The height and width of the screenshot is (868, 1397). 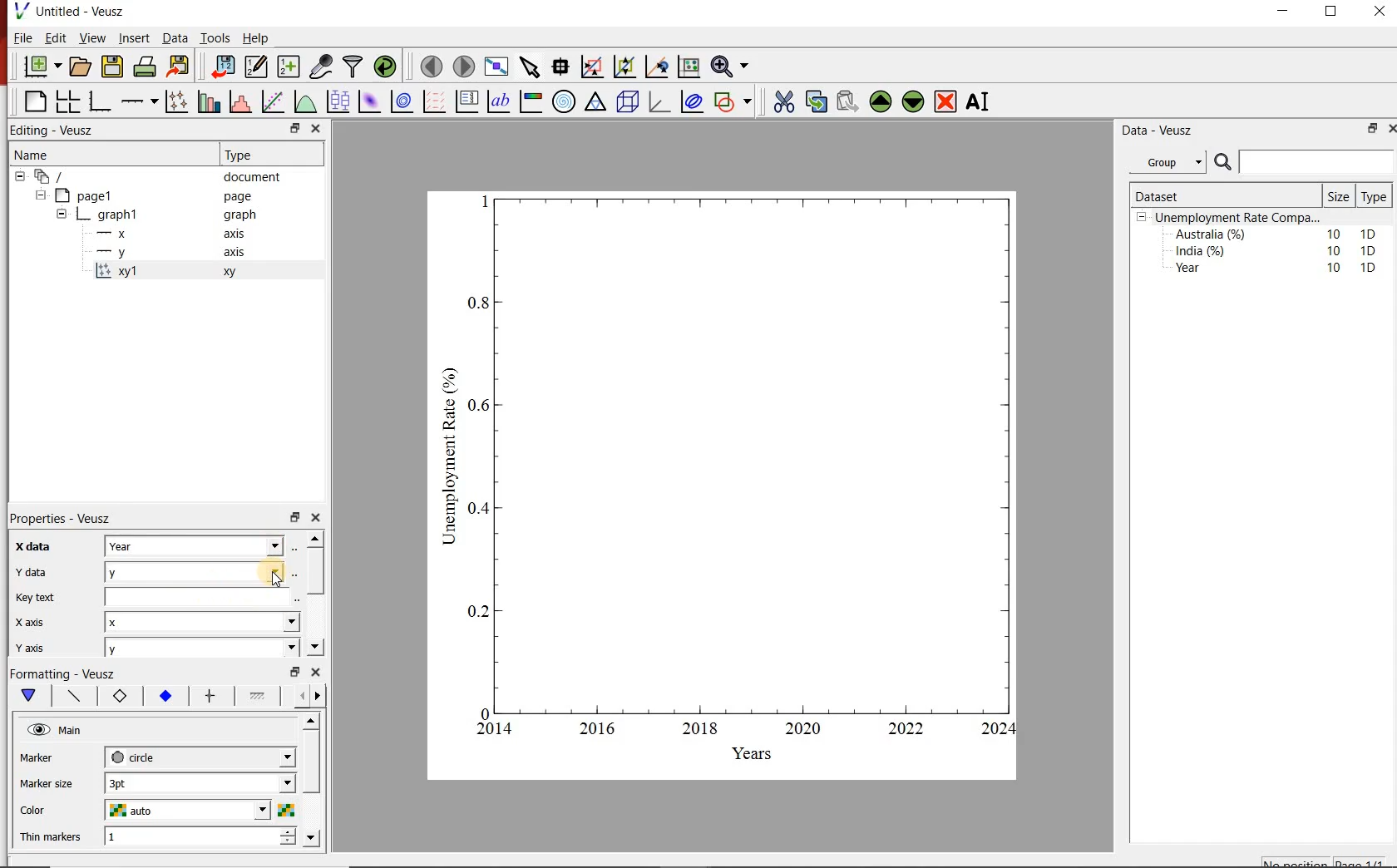 What do you see at coordinates (72, 731) in the screenshot?
I see `Main` at bounding box center [72, 731].